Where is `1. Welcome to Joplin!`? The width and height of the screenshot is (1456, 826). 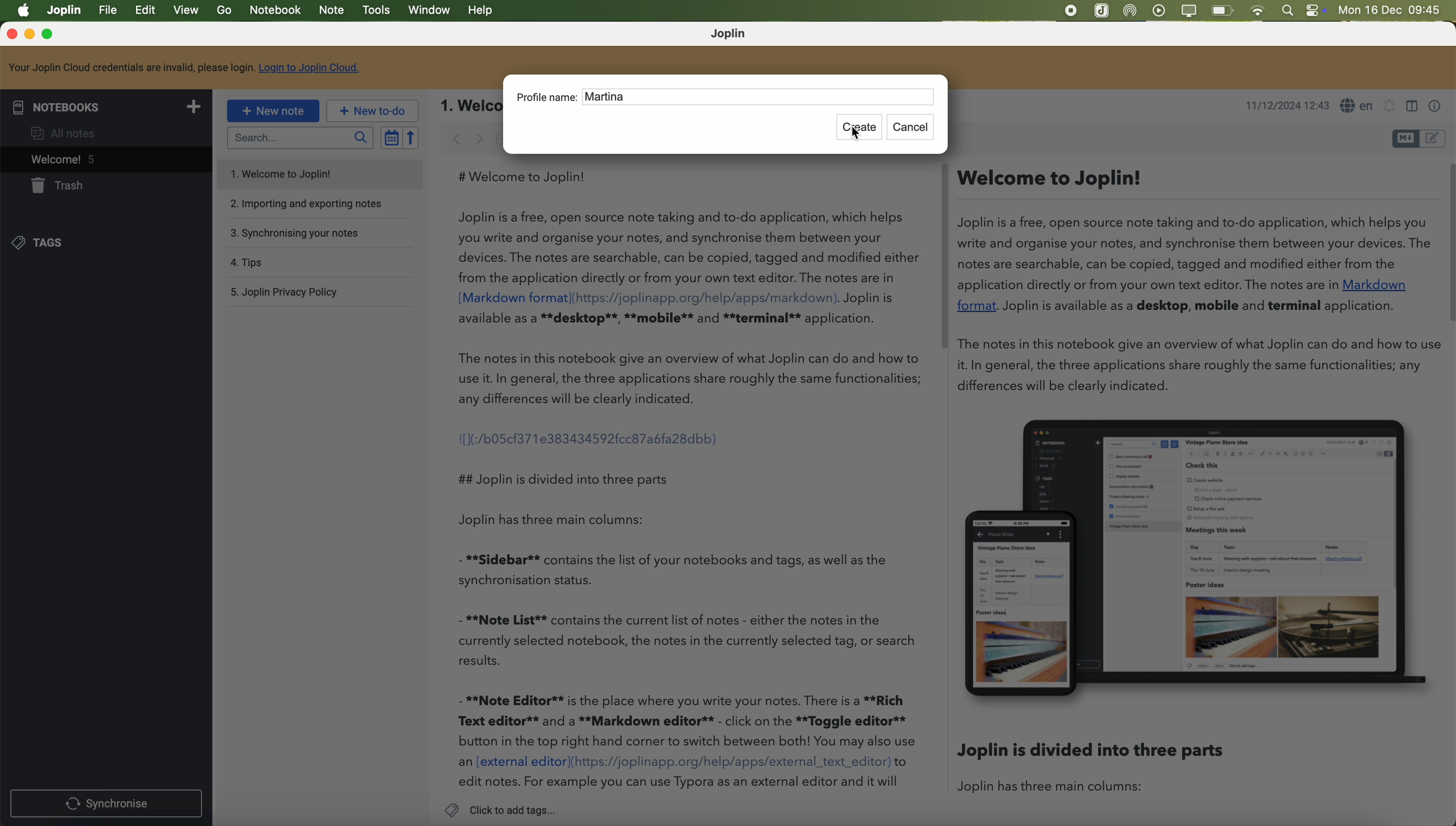 1. Welcome to Joplin! is located at coordinates (291, 175).